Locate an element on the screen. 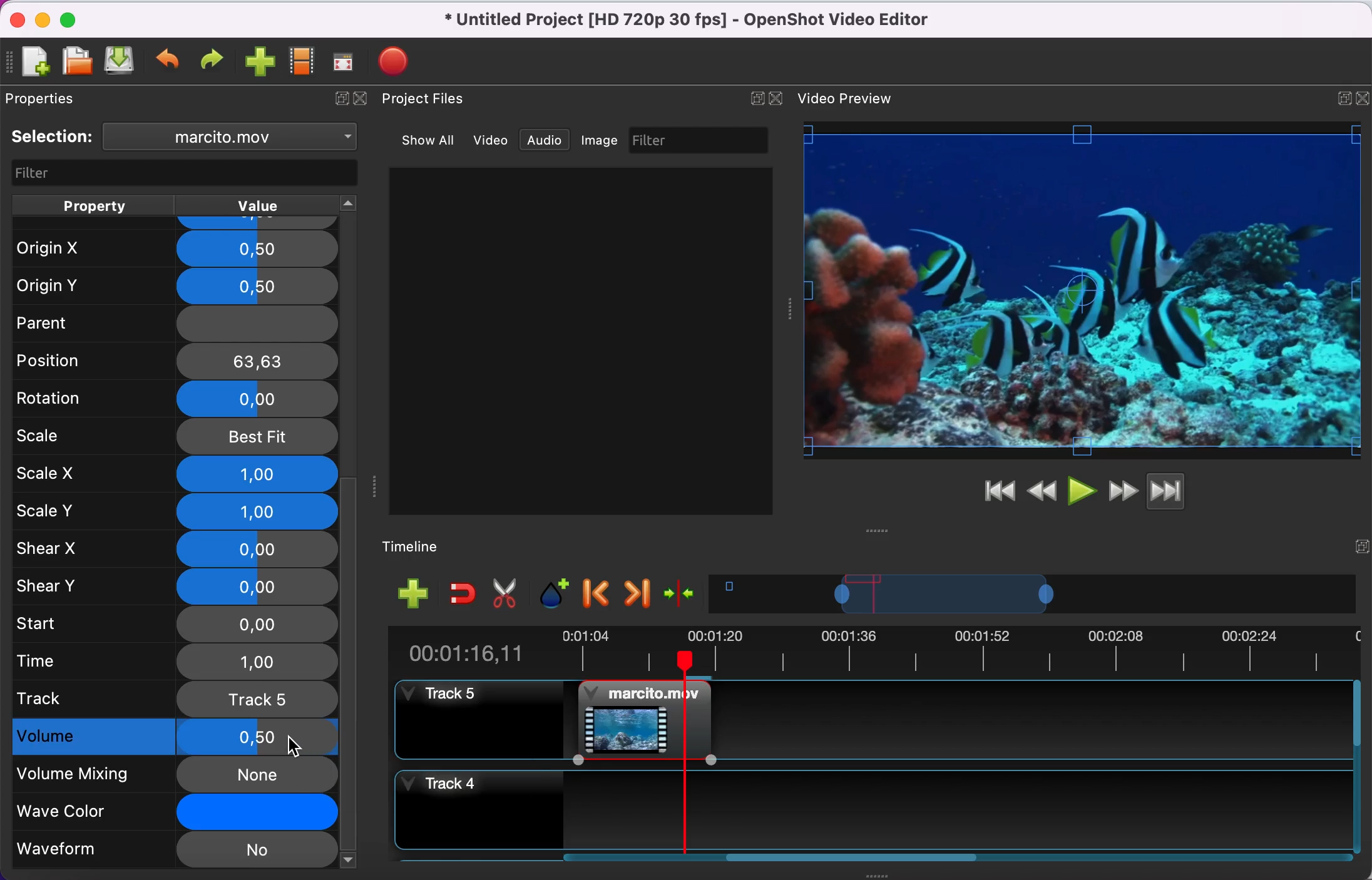 The image size is (1372, 880). volume 0,5 is located at coordinates (175, 737).